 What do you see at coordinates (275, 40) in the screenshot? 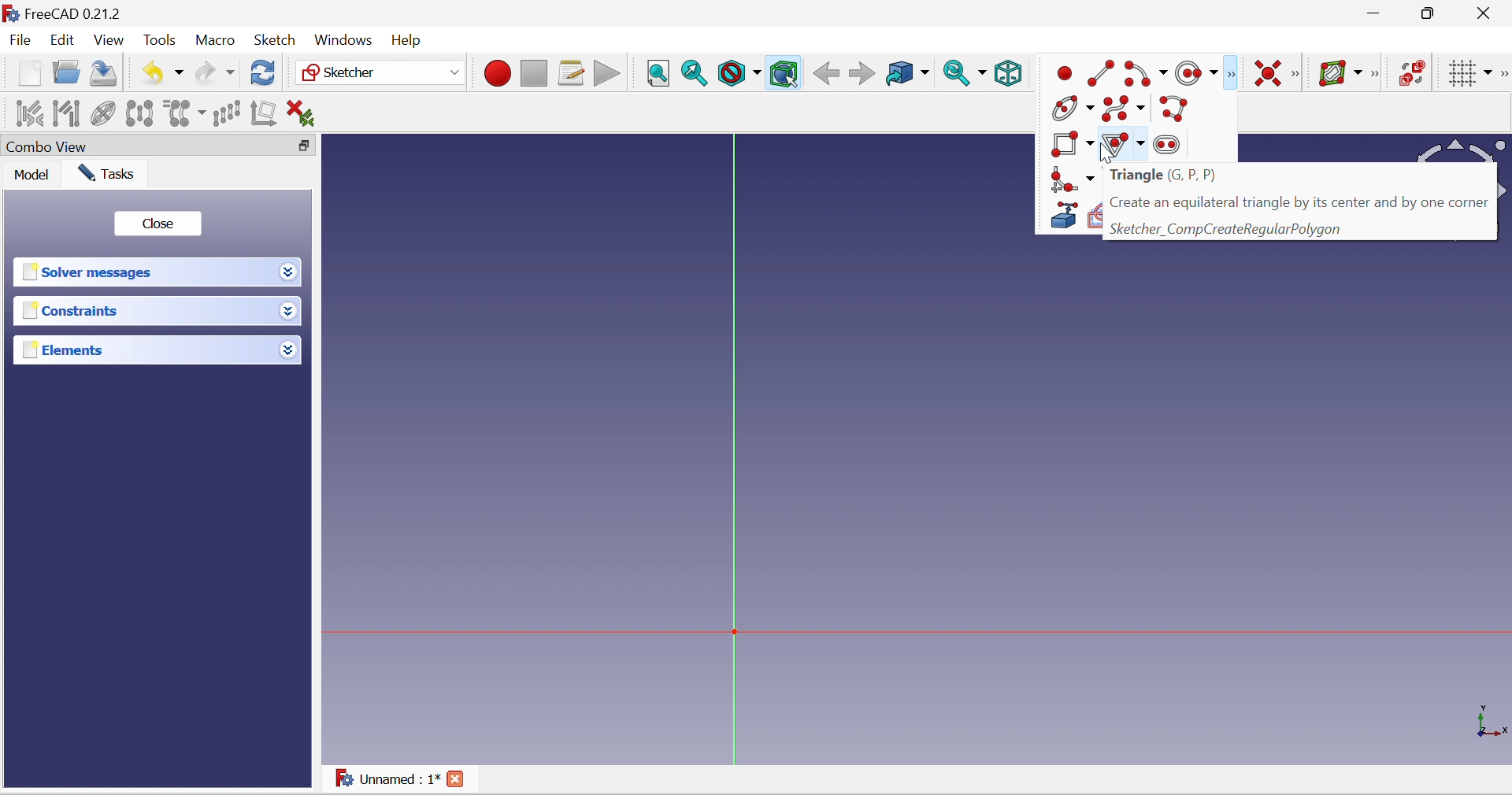
I see `Sketch` at bounding box center [275, 40].